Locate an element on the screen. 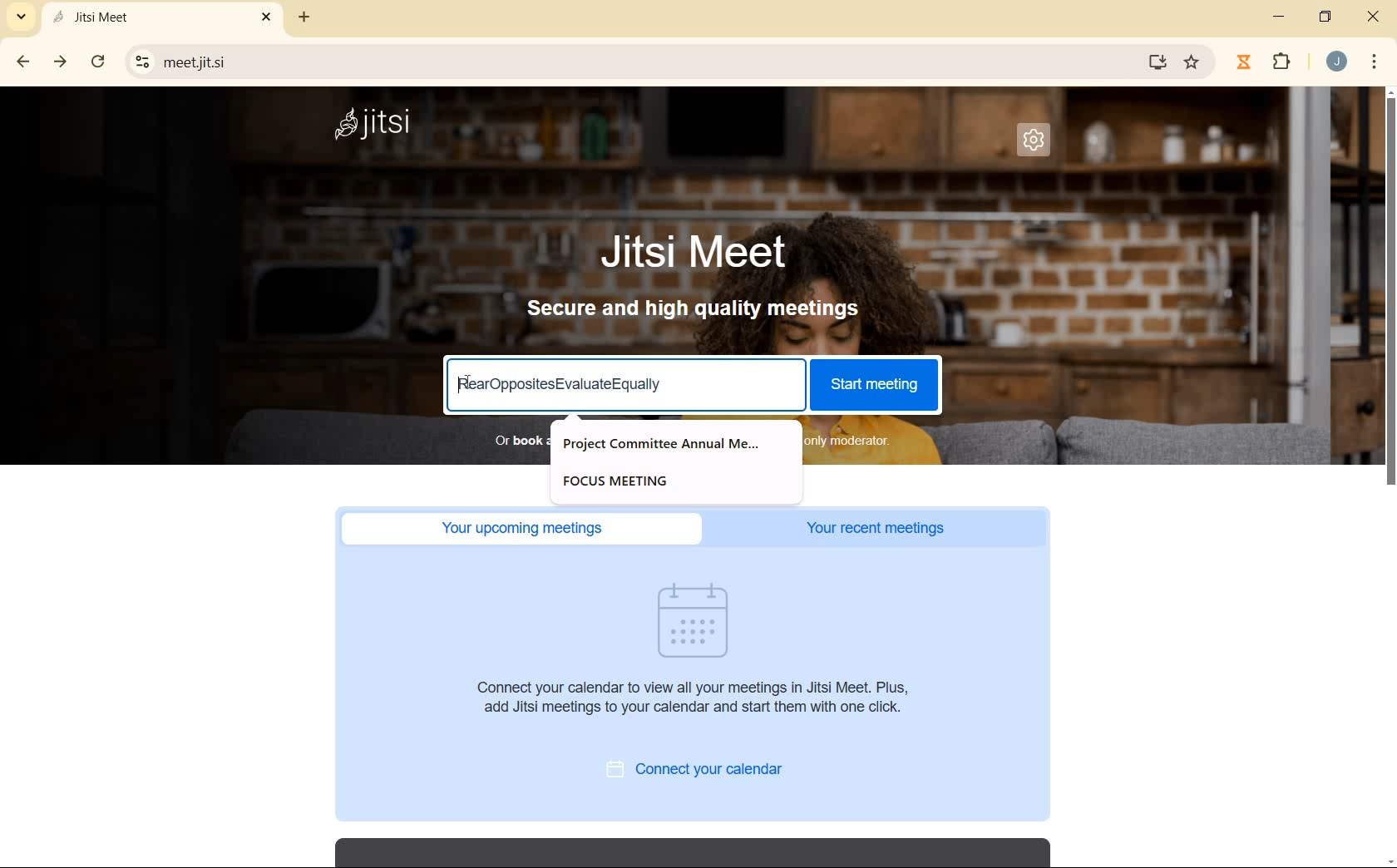  RELOAD is located at coordinates (98, 62).